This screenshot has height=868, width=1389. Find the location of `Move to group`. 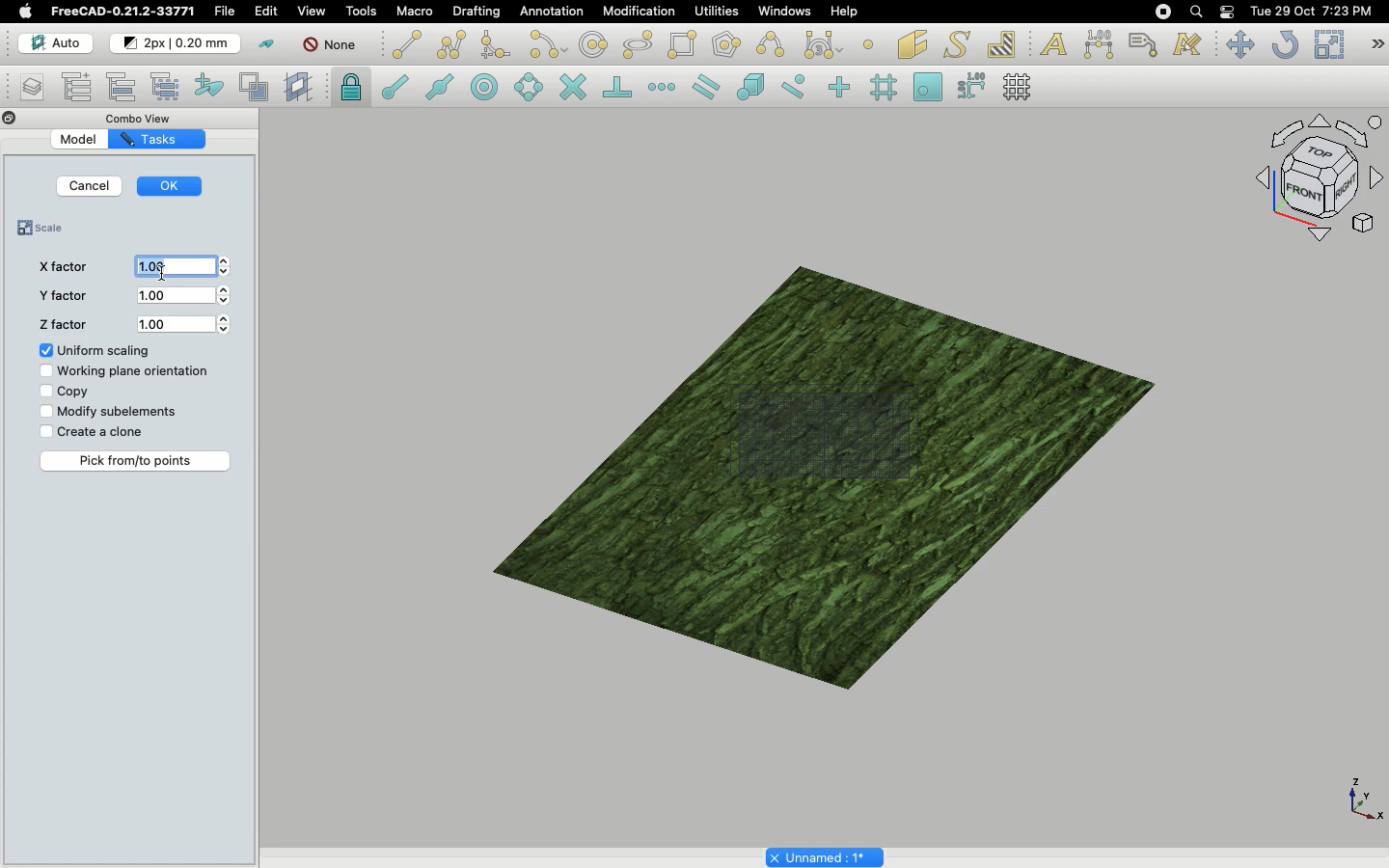

Move to group is located at coordinates (123, 86).